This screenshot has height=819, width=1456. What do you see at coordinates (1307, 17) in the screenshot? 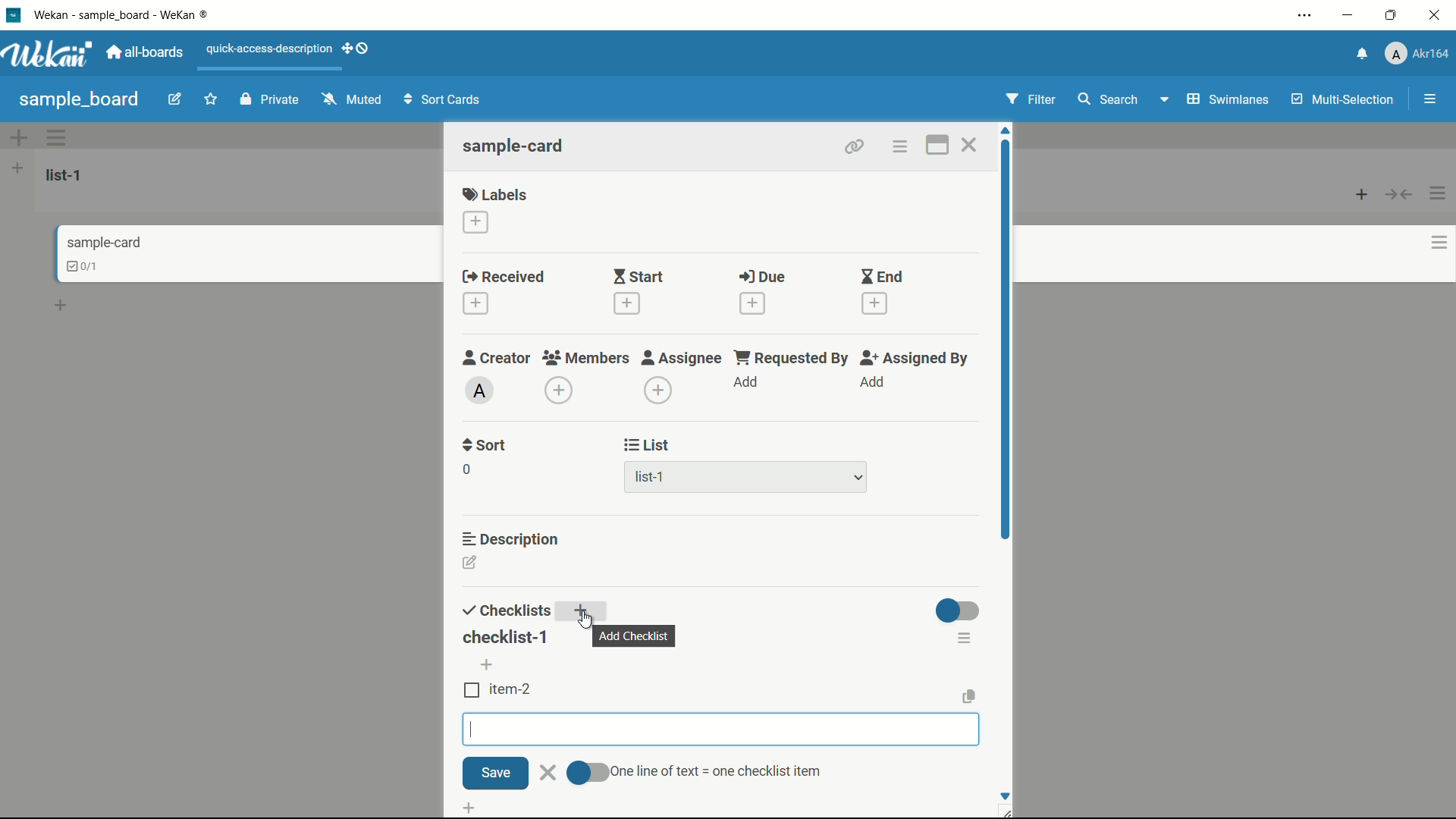
I see `settings and more` at bounding box center [1307, 17].